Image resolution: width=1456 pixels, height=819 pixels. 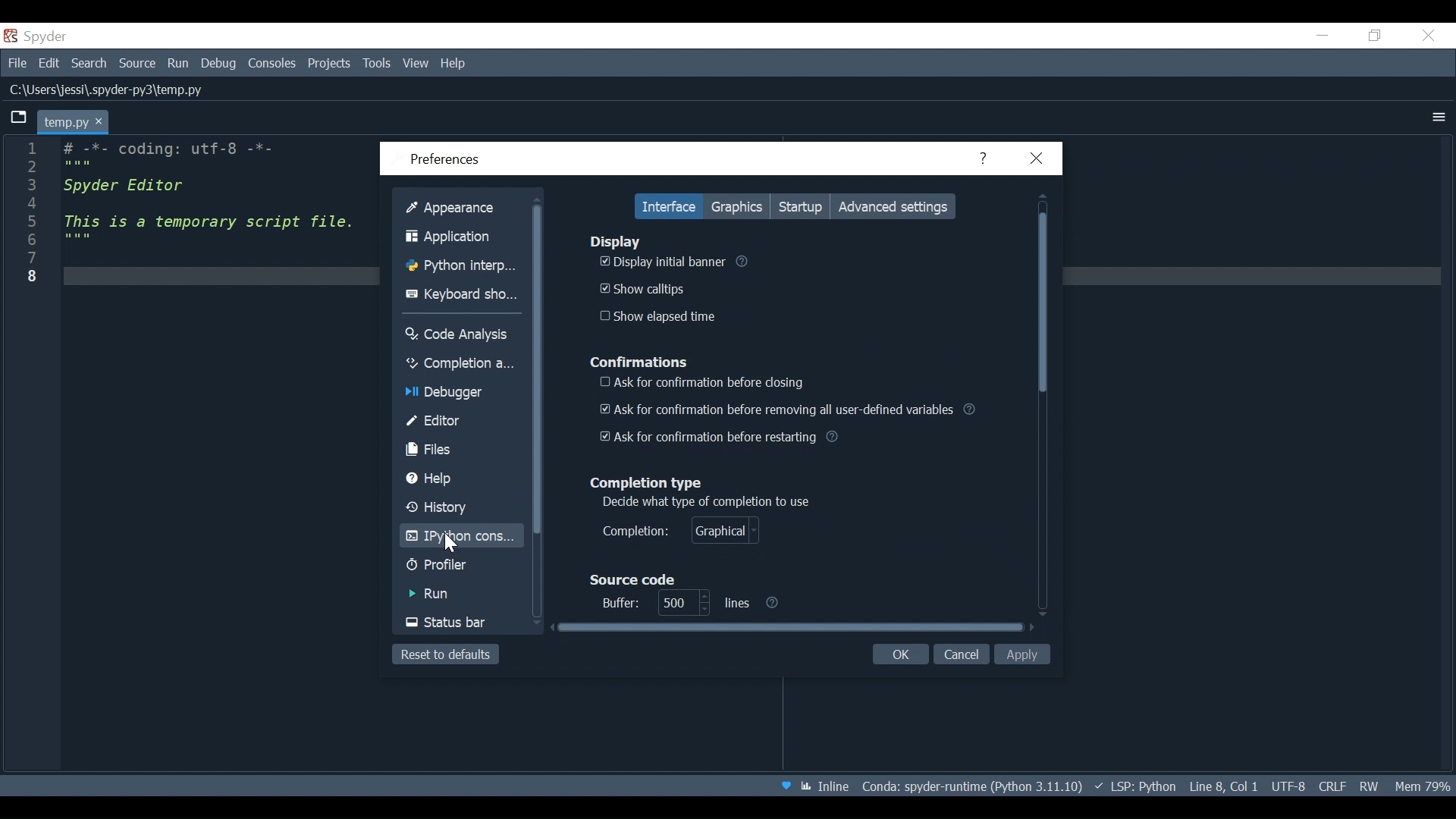 I want to click on File EQL Status, so click(x=1337, y=786).